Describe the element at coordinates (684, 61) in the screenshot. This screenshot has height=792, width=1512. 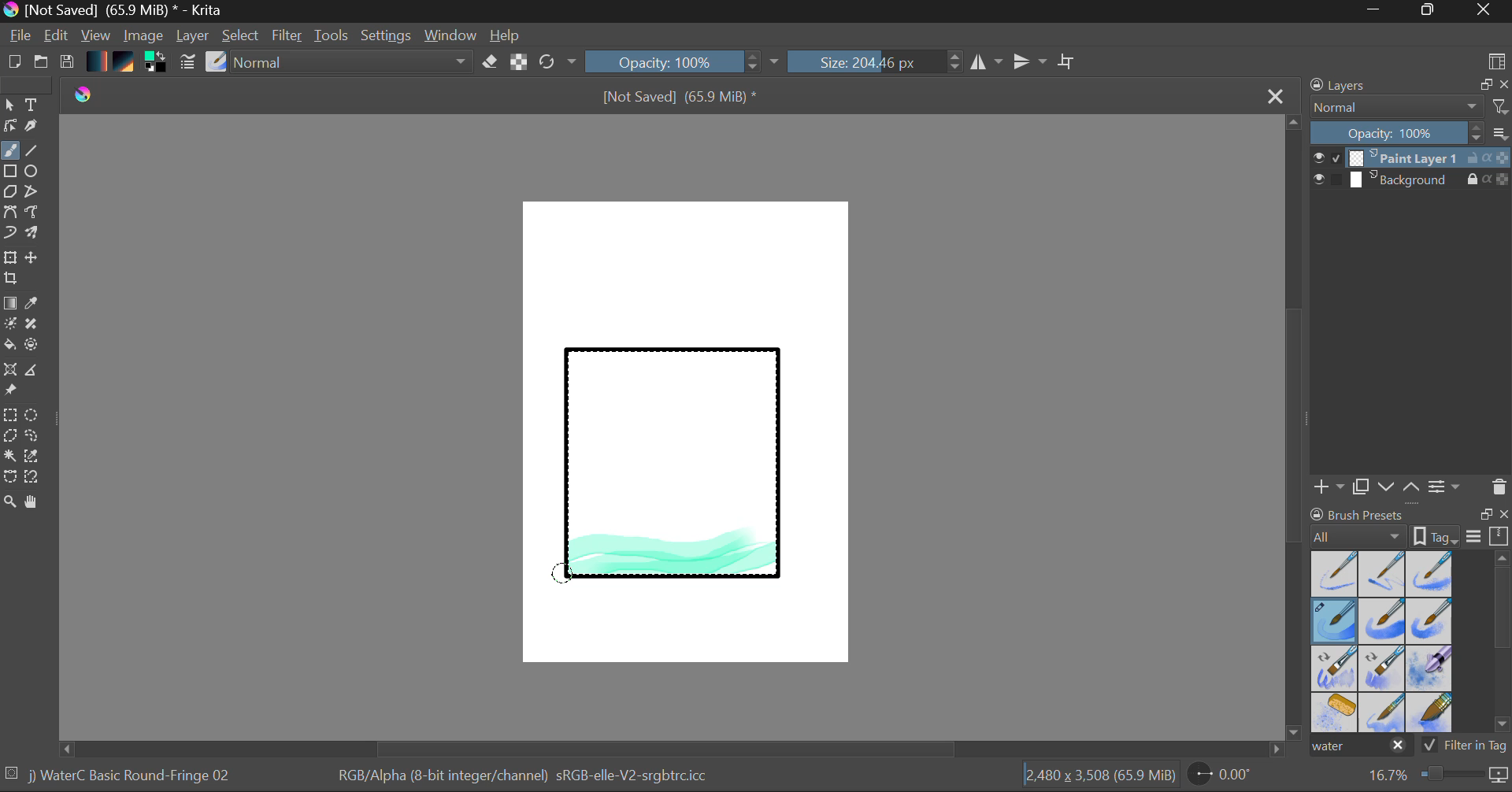
I see `Opacity` at that location.